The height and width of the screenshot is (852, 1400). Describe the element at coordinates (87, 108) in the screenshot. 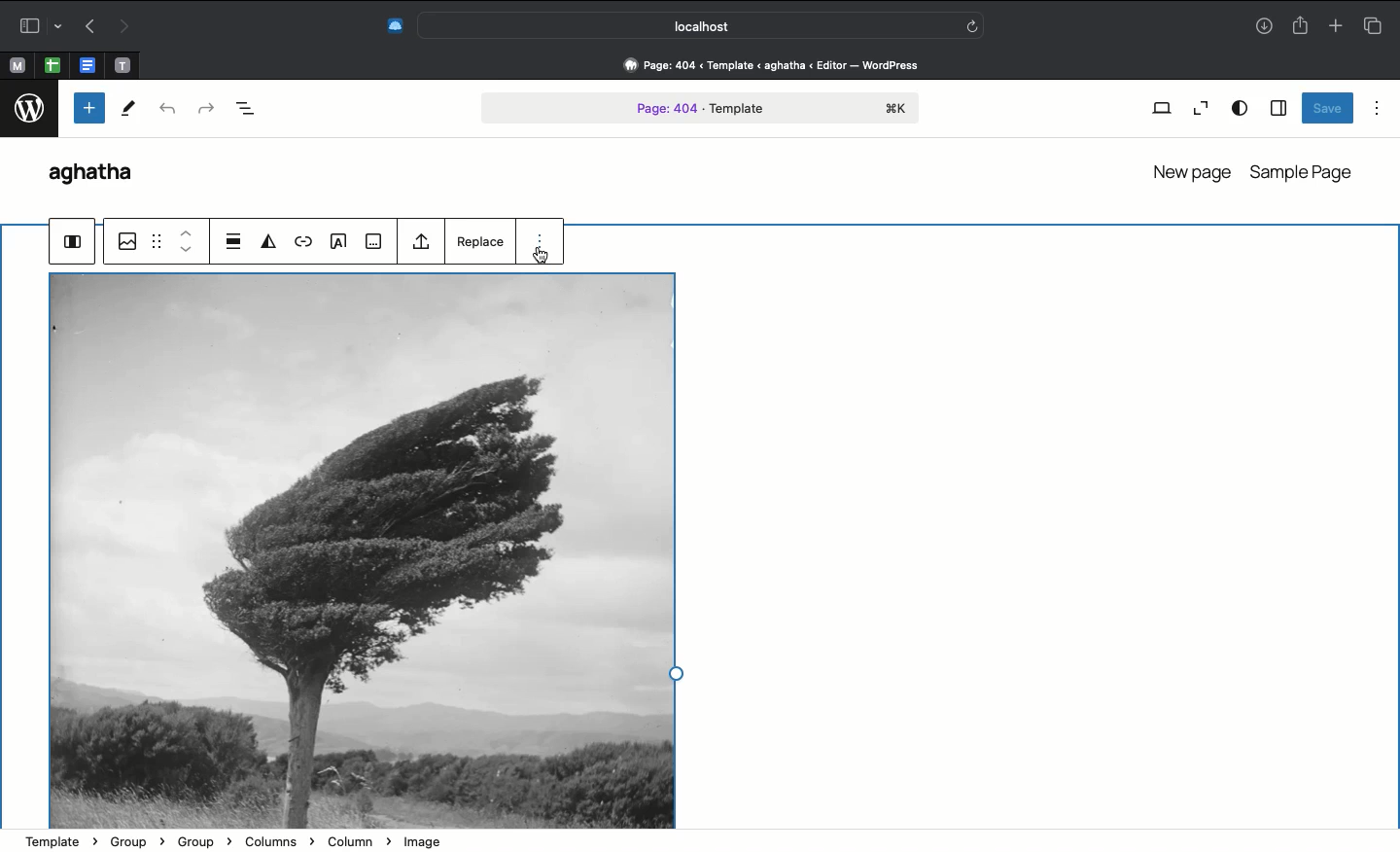

I see `Add new block` at that location.